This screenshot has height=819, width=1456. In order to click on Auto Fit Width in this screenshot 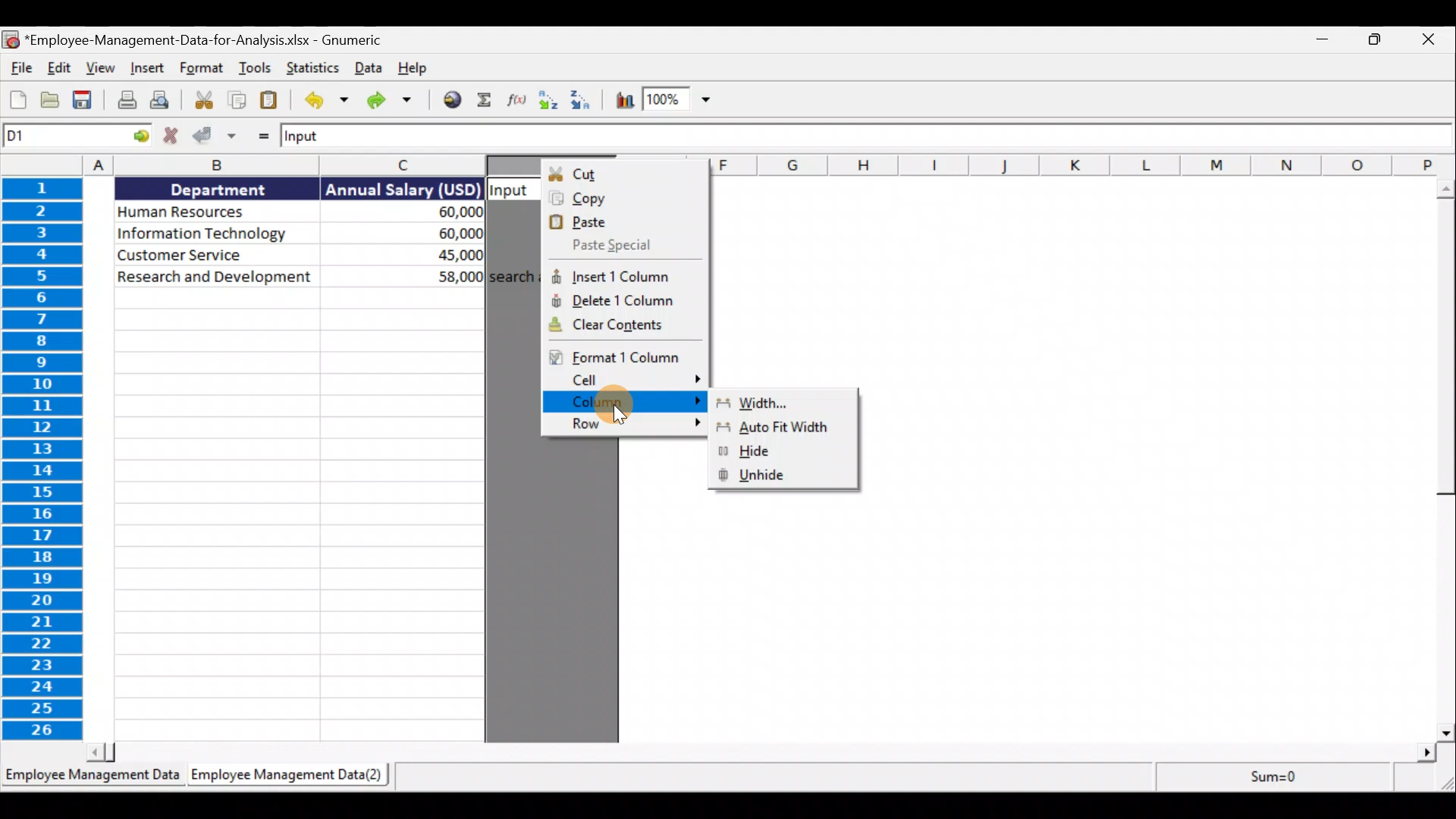, I will do `click(784, 431)`.